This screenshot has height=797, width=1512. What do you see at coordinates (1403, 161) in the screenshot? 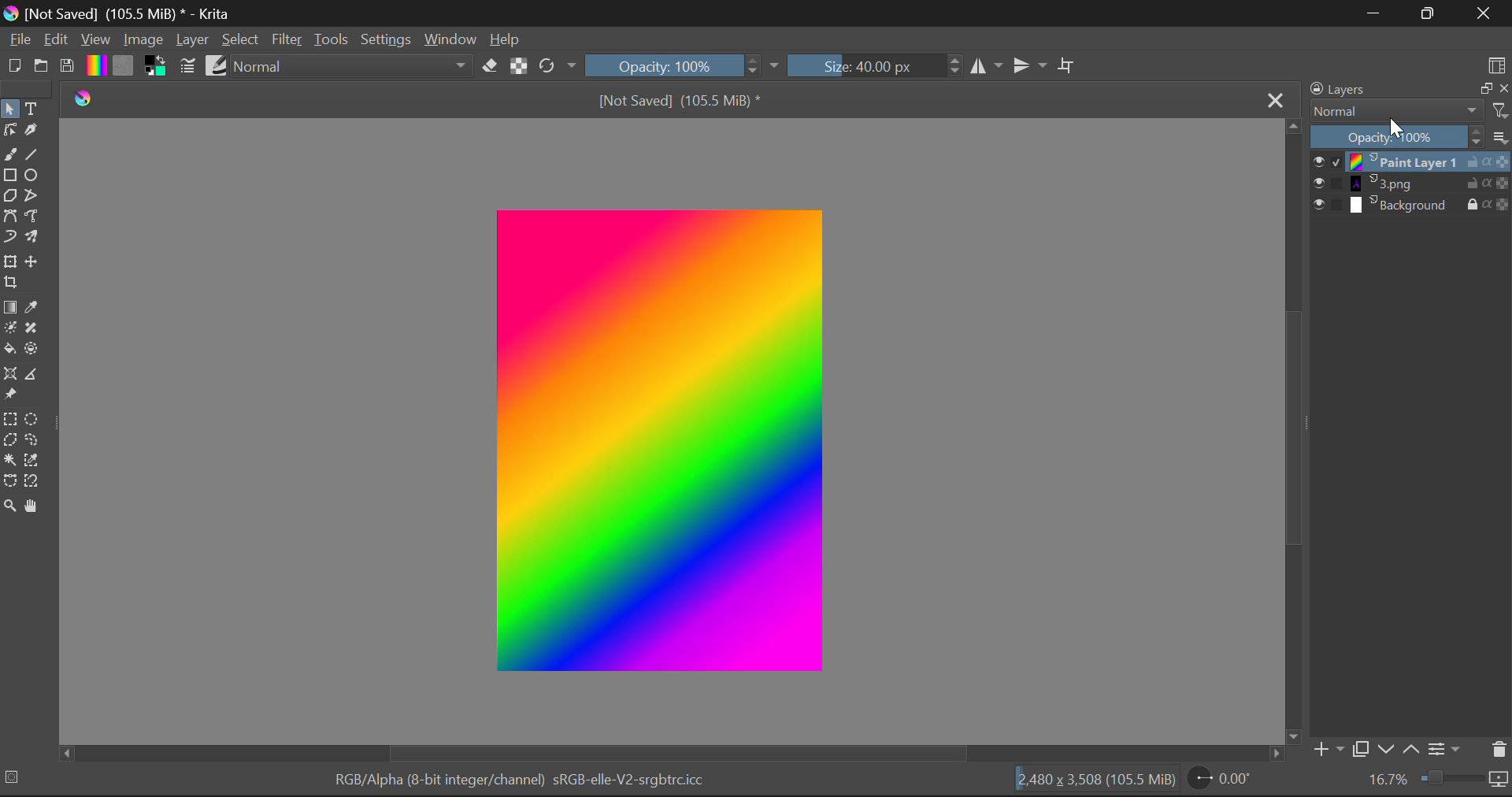
I see `print layer 1` at bounding box center [1403, 161].